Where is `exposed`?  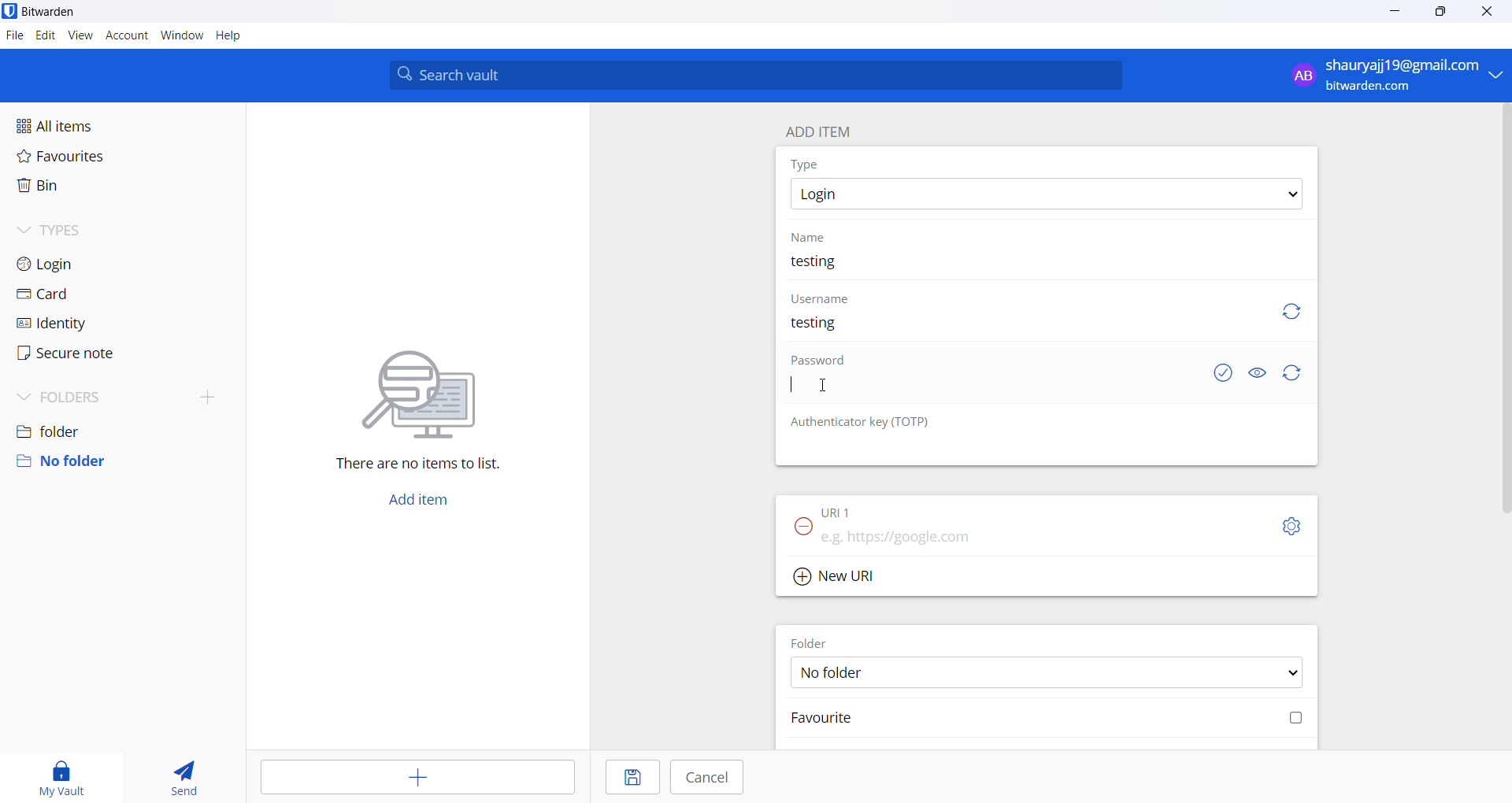
exposed is located at coordinates (1223, 371).